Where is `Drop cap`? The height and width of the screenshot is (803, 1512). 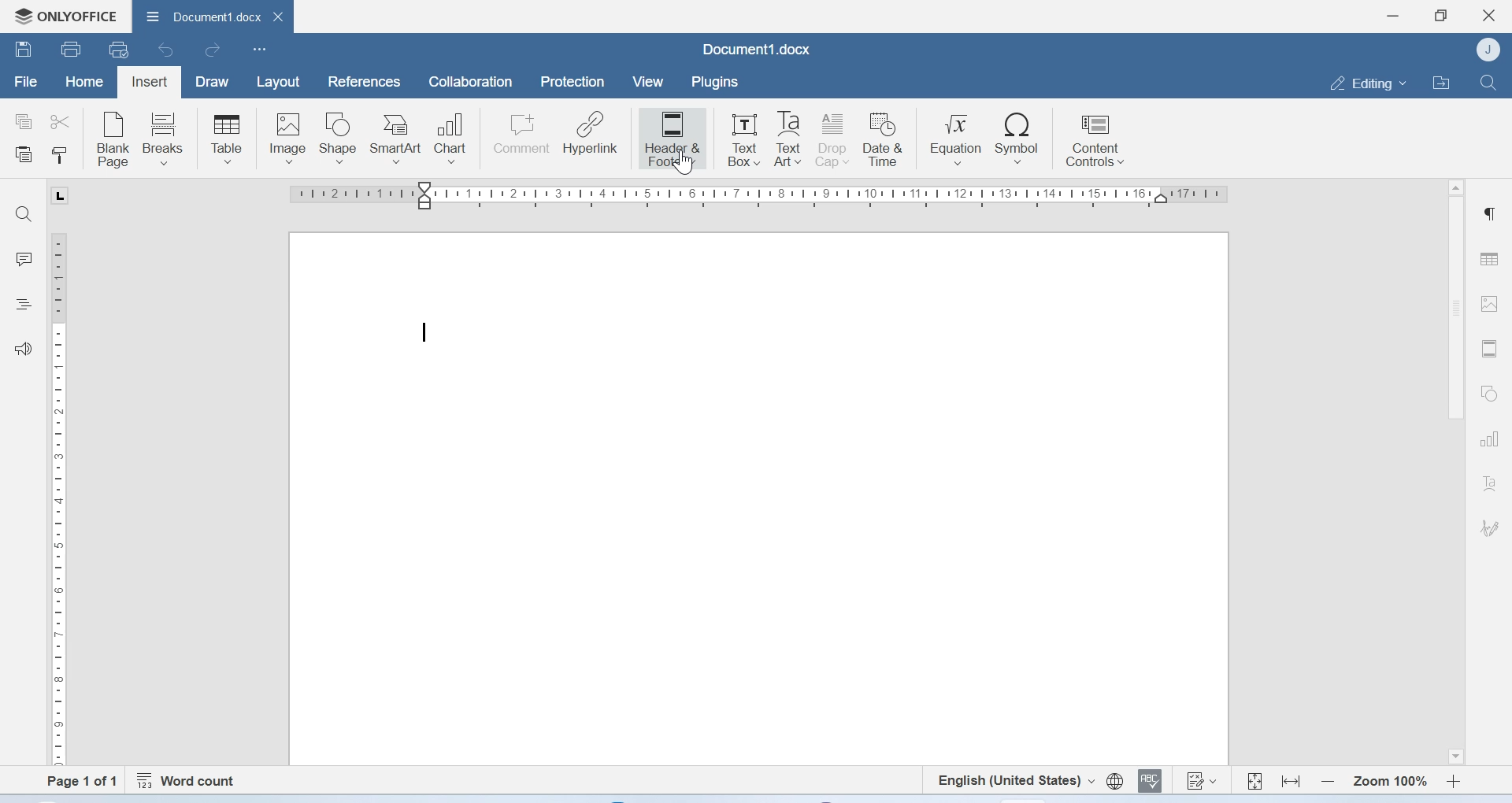
Drop cap is located at coordinates (834, 139).